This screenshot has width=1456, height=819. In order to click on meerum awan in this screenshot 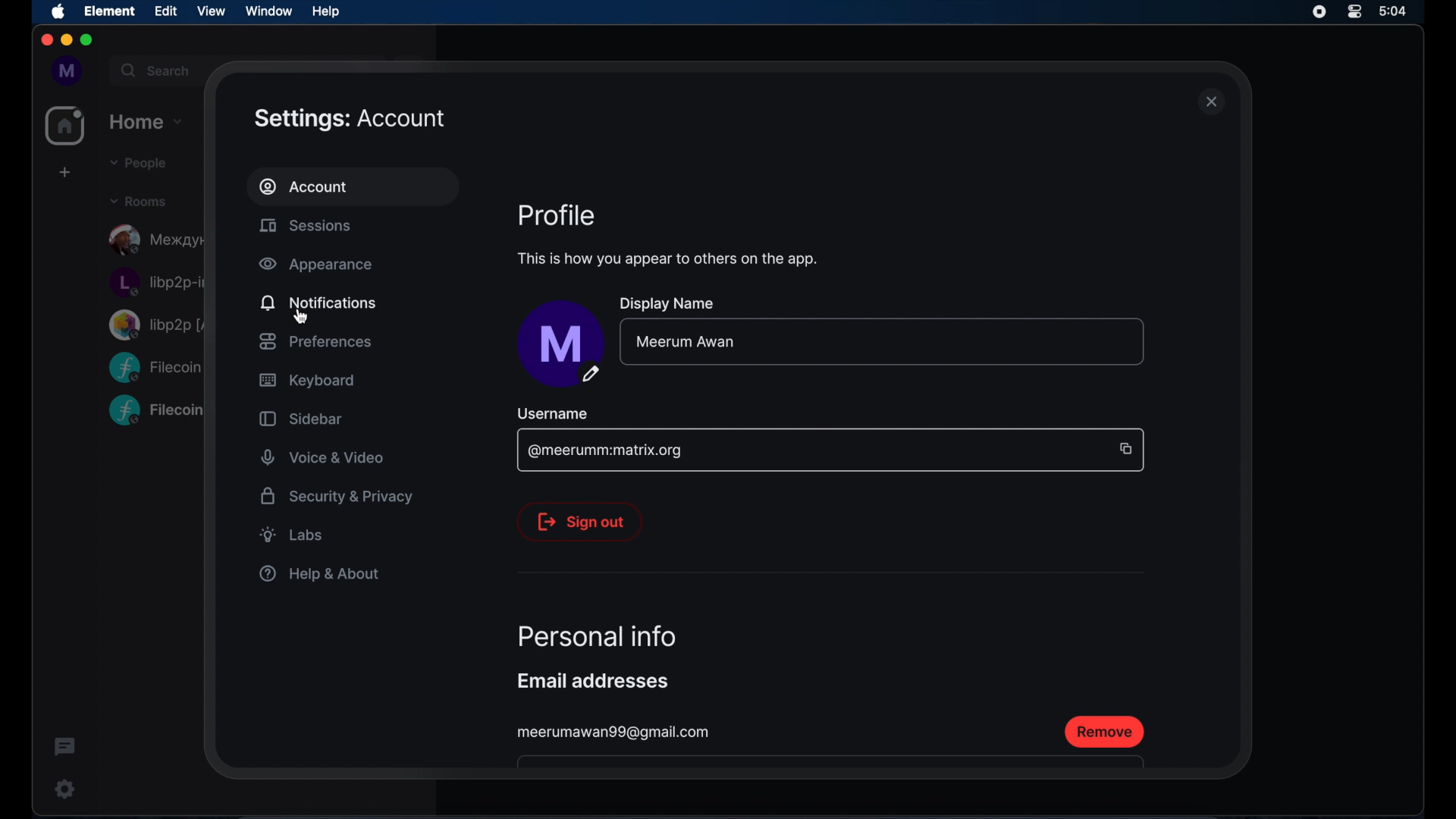, I will do `click(684, 341)`.